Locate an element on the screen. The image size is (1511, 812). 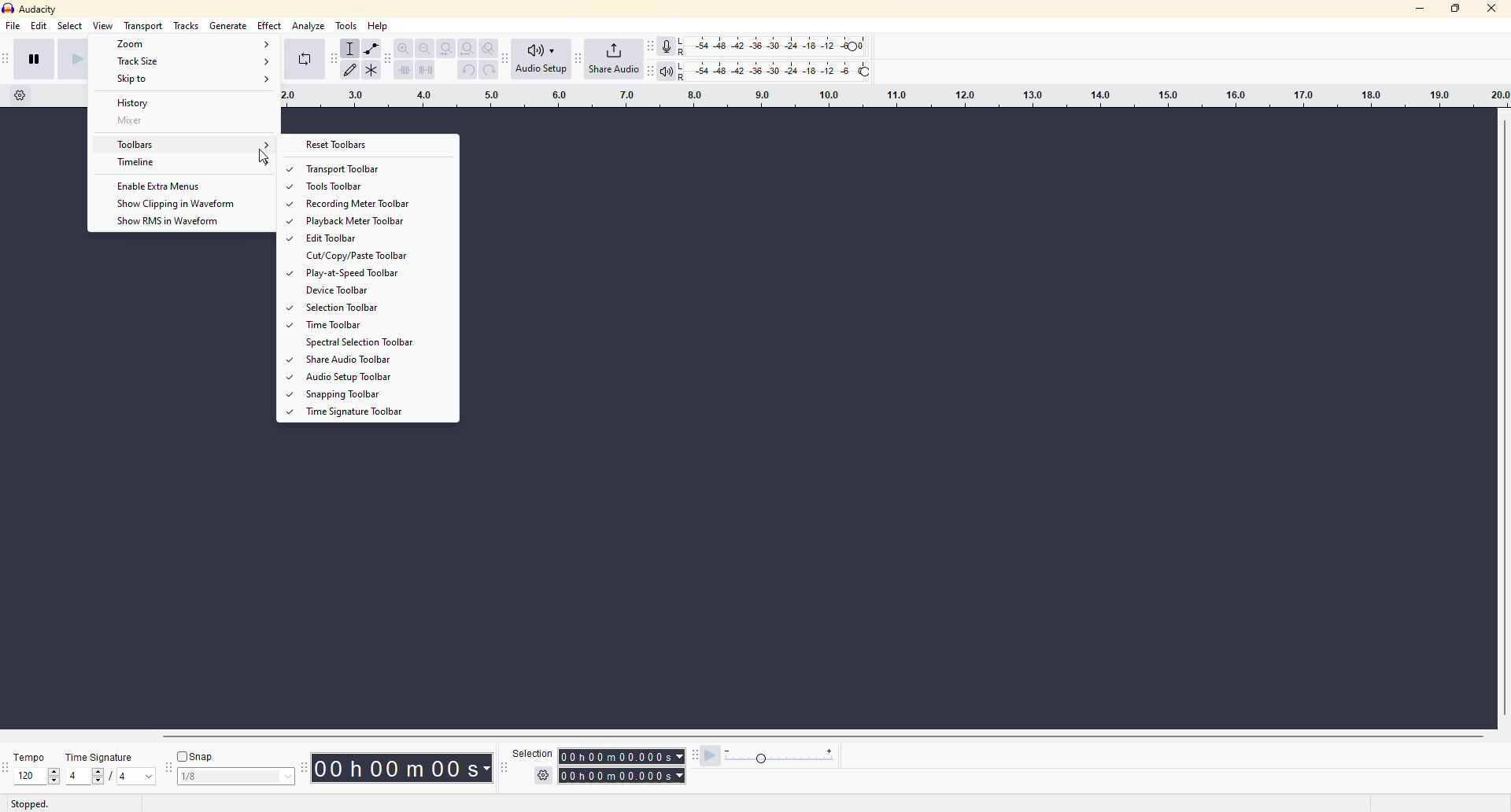
Enable Extra Menus is located at coordinates (161, 186).